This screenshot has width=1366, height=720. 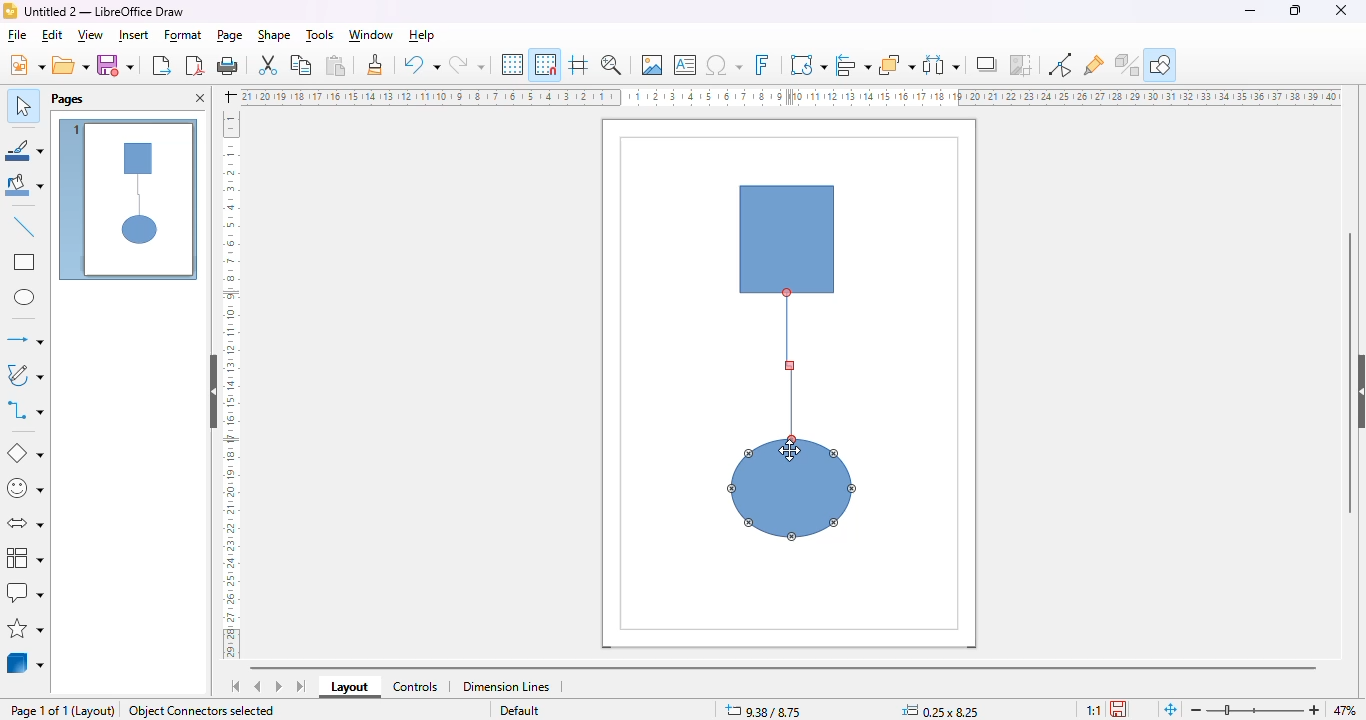 What do you see at coordinates (231, 385) in the screenshot?
I see `ruler` at bounding box center [231, 385].